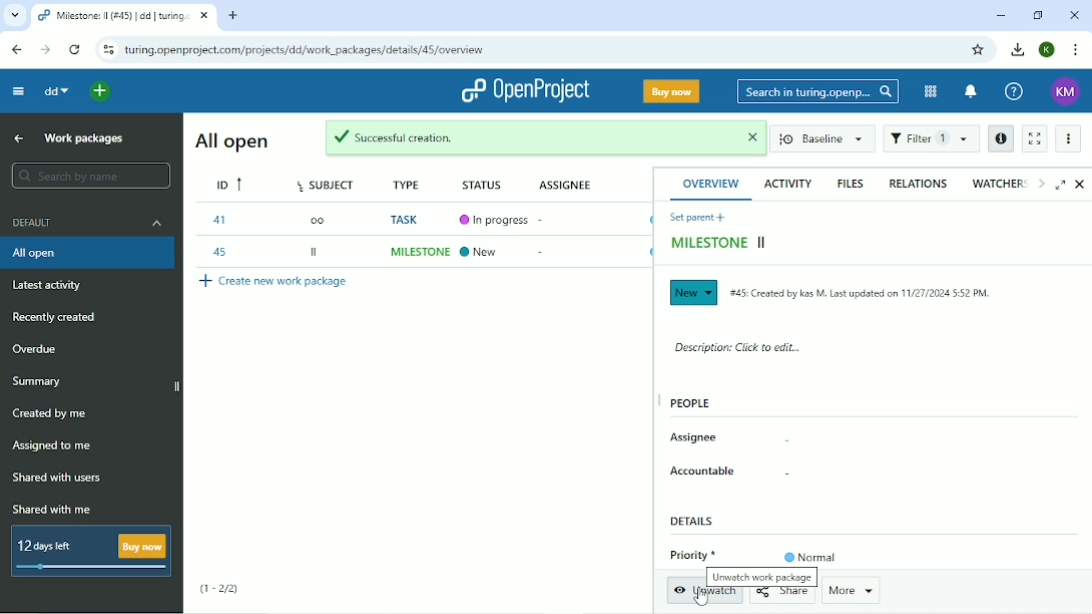 Image resolution: width=1092 pixels, height=614 pixels. What do you see at coordinates (739, 346) in the screenshot?
I see `Description` at bounding box center [739, 346].